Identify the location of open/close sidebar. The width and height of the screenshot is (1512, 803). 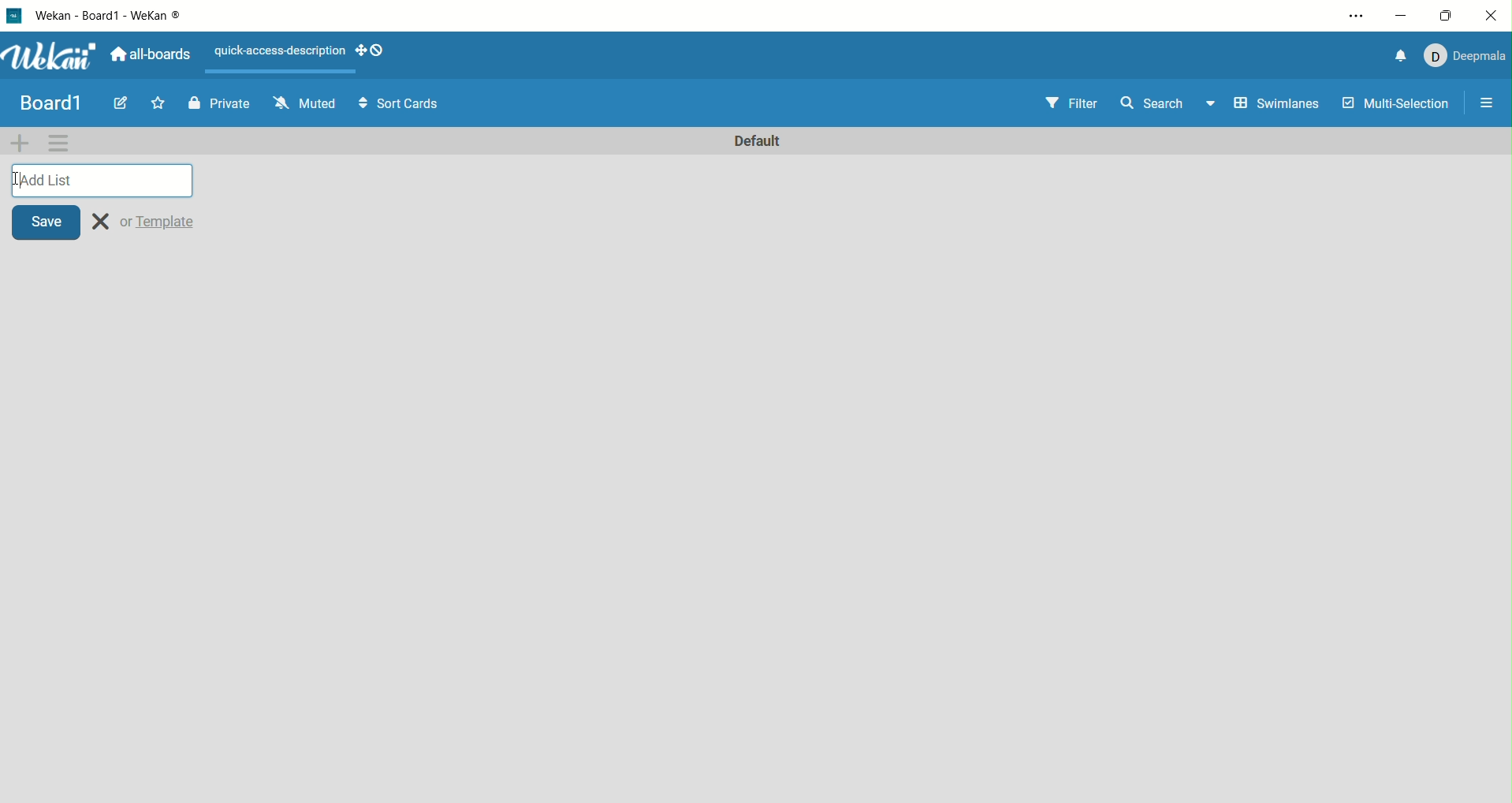
(1492, 100).